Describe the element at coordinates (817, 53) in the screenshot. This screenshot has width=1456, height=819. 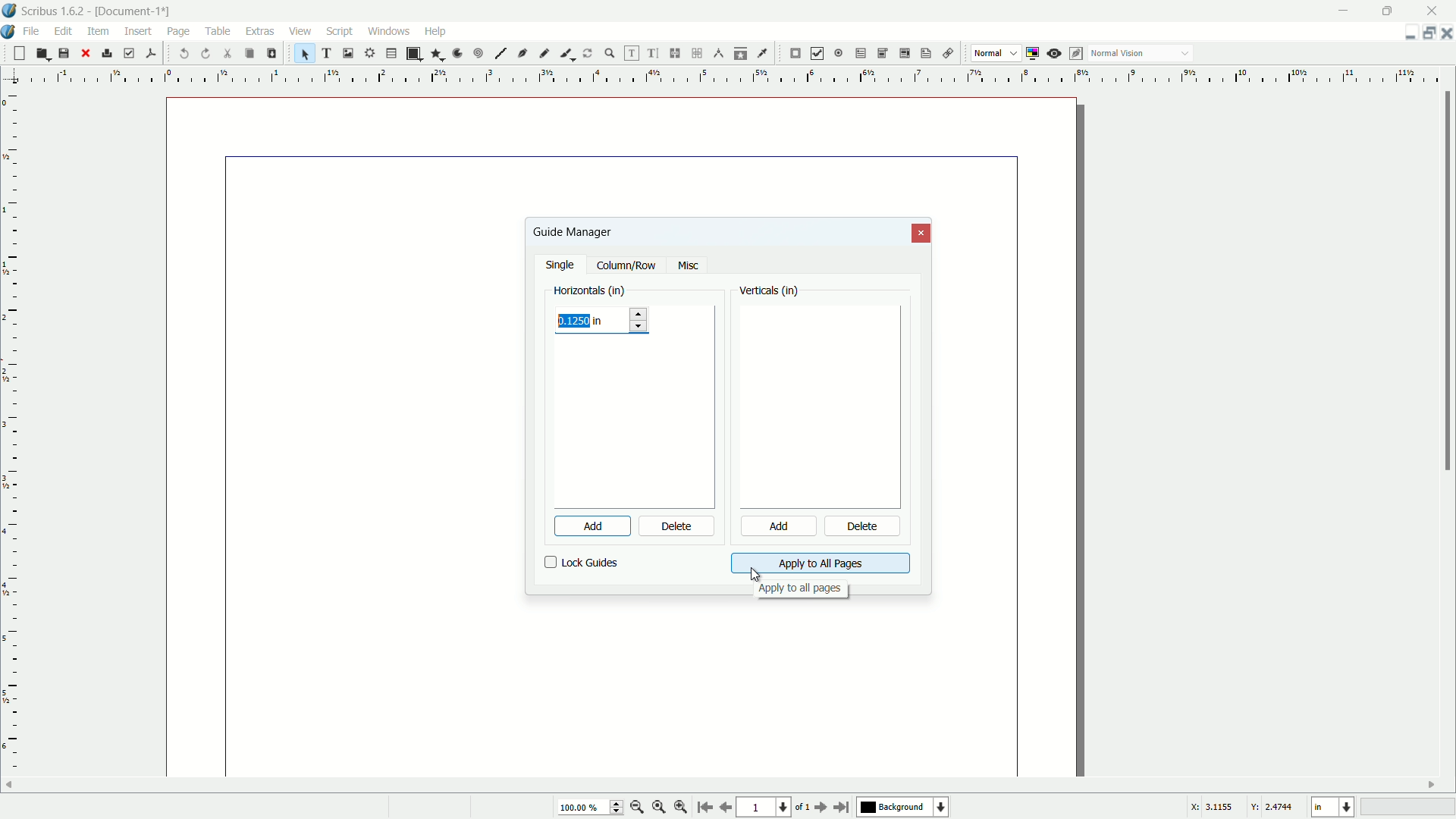
I see `pdf check box` at that location.